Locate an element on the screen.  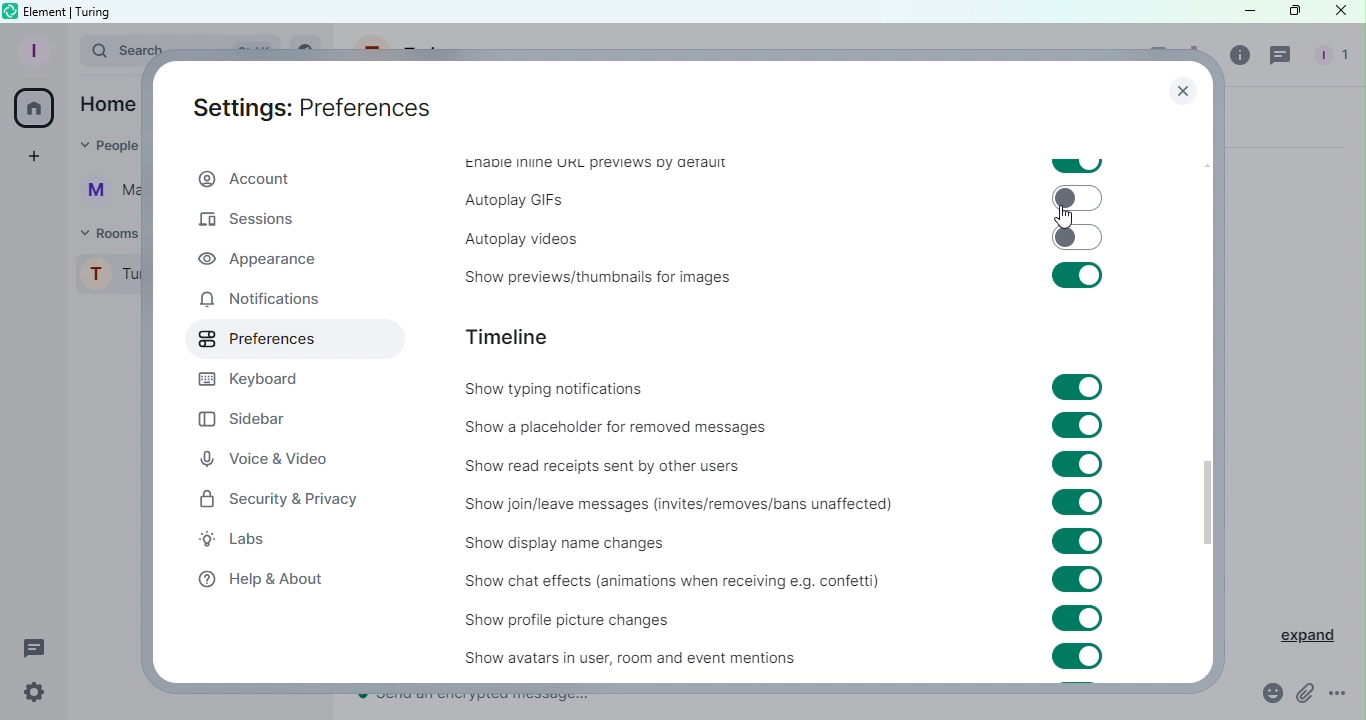
Threads is located at coordinates (35, 646).